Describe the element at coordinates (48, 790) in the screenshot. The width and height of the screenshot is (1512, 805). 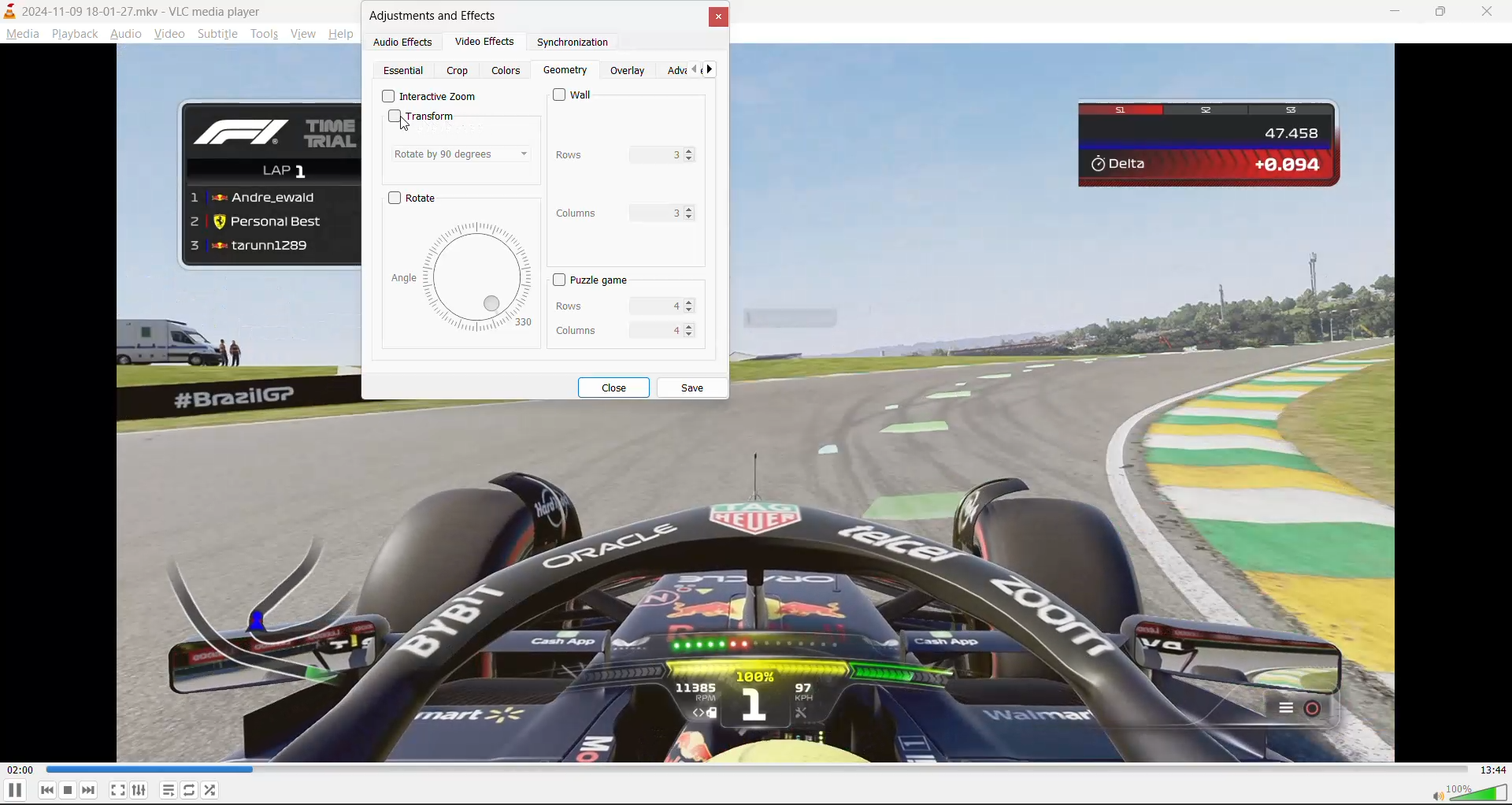
I see `previous` at that location.